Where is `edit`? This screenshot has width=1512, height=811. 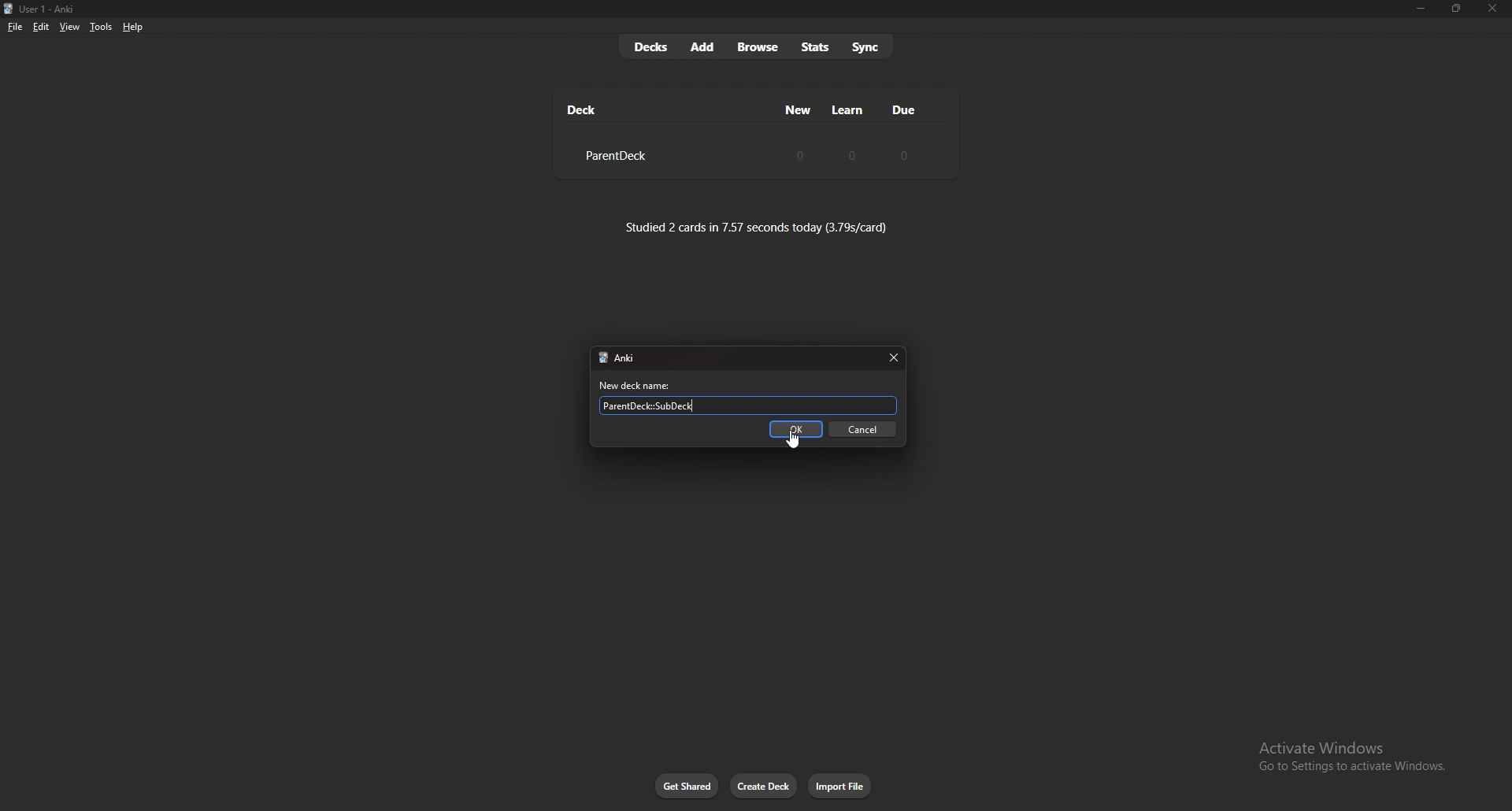
edit is located at coordinates (39, 28).